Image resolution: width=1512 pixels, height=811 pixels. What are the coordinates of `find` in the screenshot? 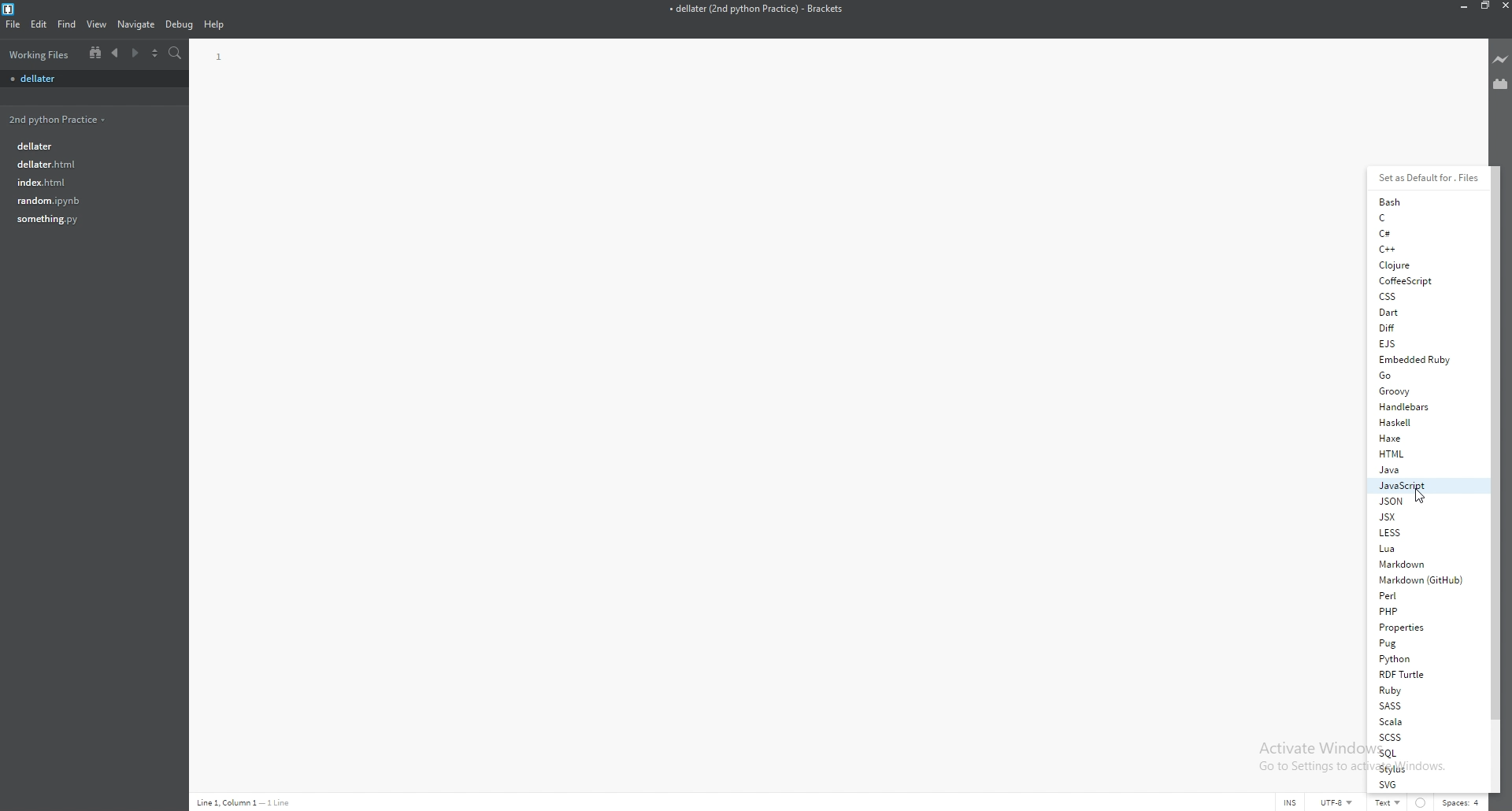 It's located at (66, 24).